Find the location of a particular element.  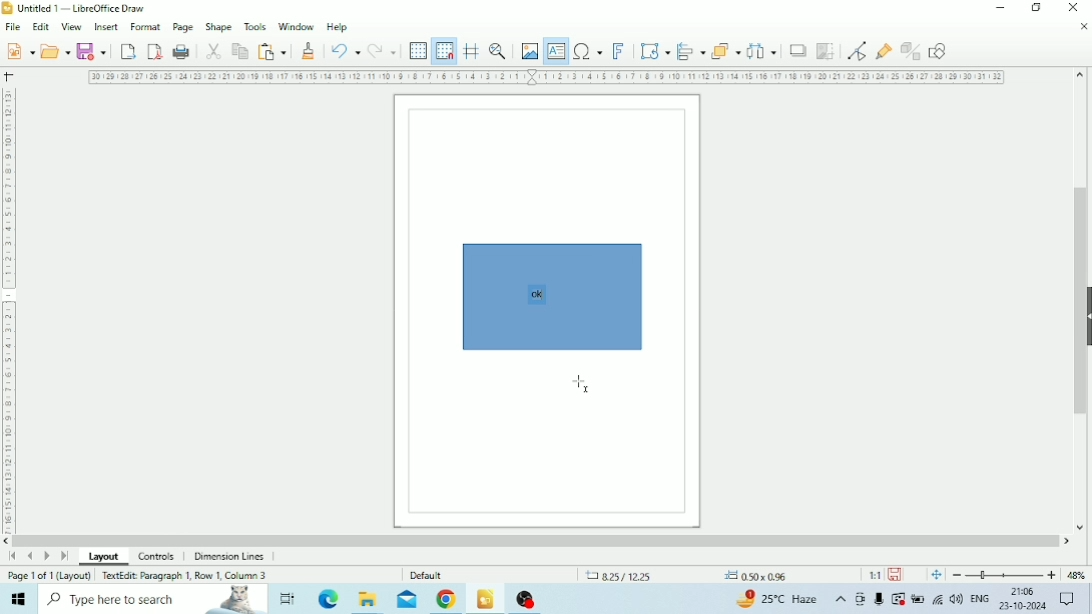

Scroll to first page is located at coordinates (12, 556).